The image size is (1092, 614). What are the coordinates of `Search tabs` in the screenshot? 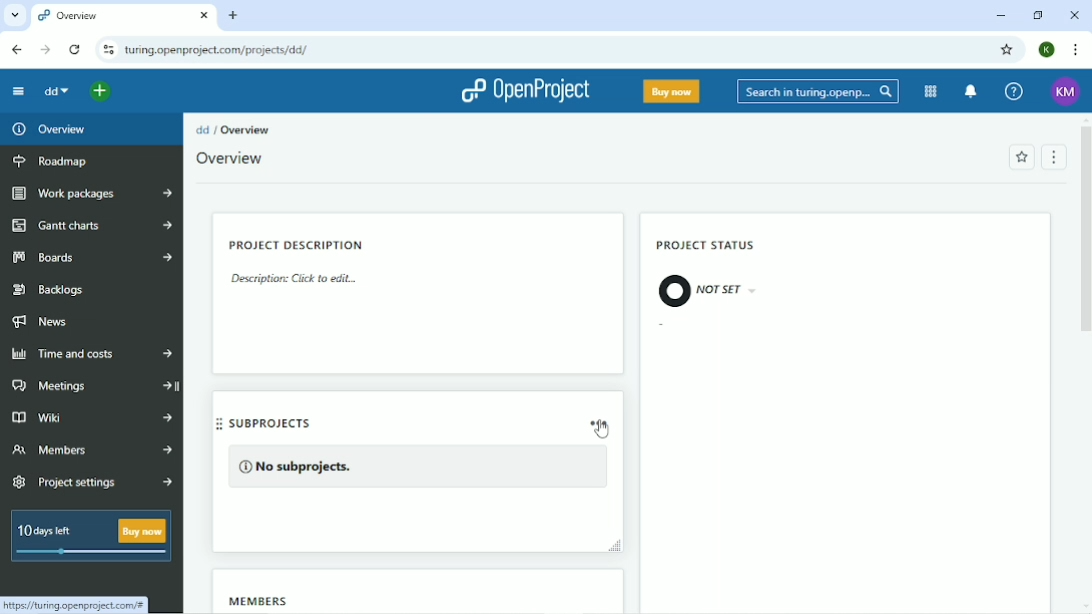 It's located at (16, 17).